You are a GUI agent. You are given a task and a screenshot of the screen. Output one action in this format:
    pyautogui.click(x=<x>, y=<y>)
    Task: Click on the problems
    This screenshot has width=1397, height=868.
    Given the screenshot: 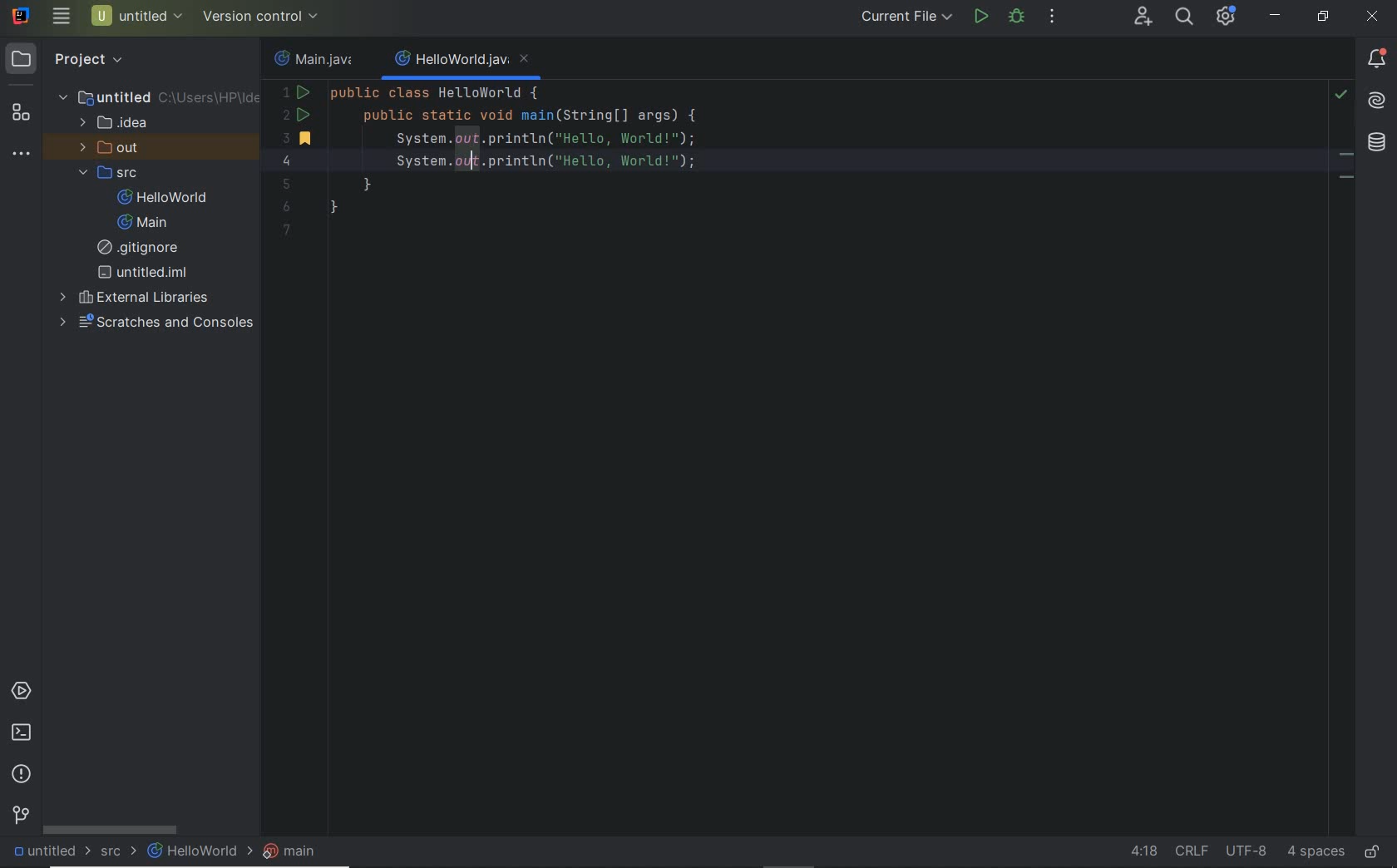 What is the action you would take?
    pyautogui.click(x=25, y=774)
    